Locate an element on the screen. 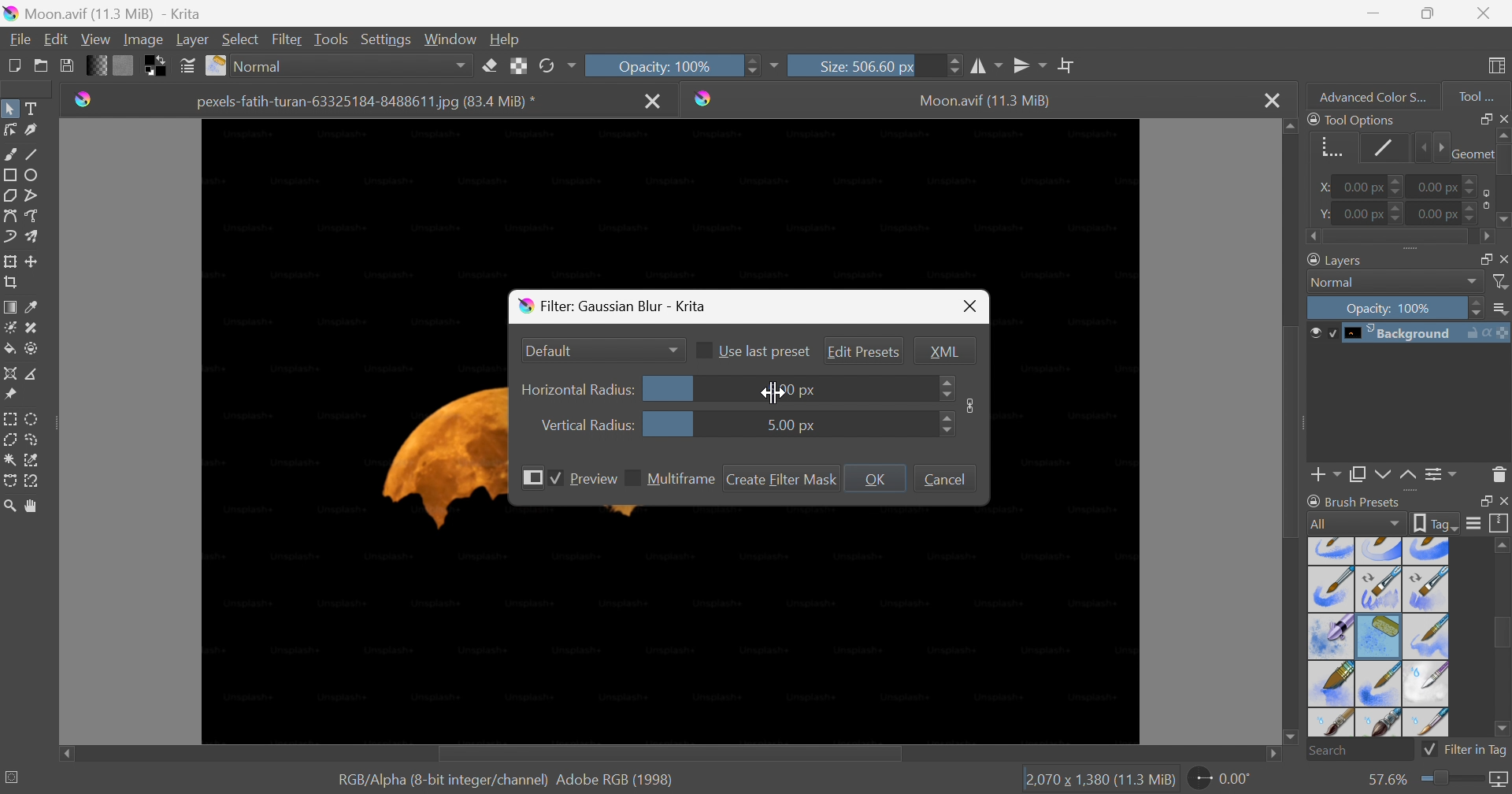 This screenshot has width=1512, height=794. y: is located at coordinates (1323, 213).